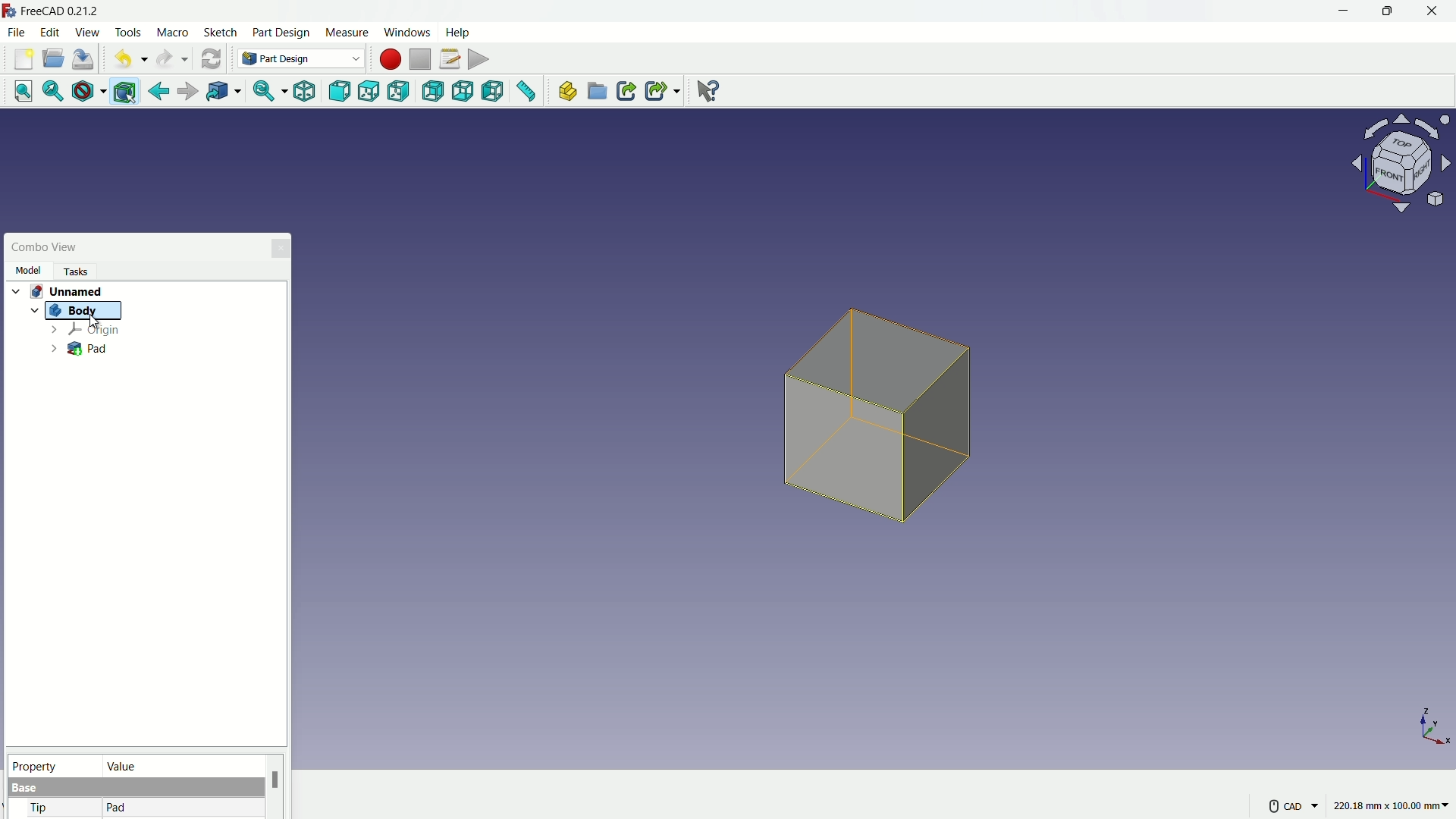 The width and height of the screenshot is (1456, 819). I want to click on undo, so click(127, 60).